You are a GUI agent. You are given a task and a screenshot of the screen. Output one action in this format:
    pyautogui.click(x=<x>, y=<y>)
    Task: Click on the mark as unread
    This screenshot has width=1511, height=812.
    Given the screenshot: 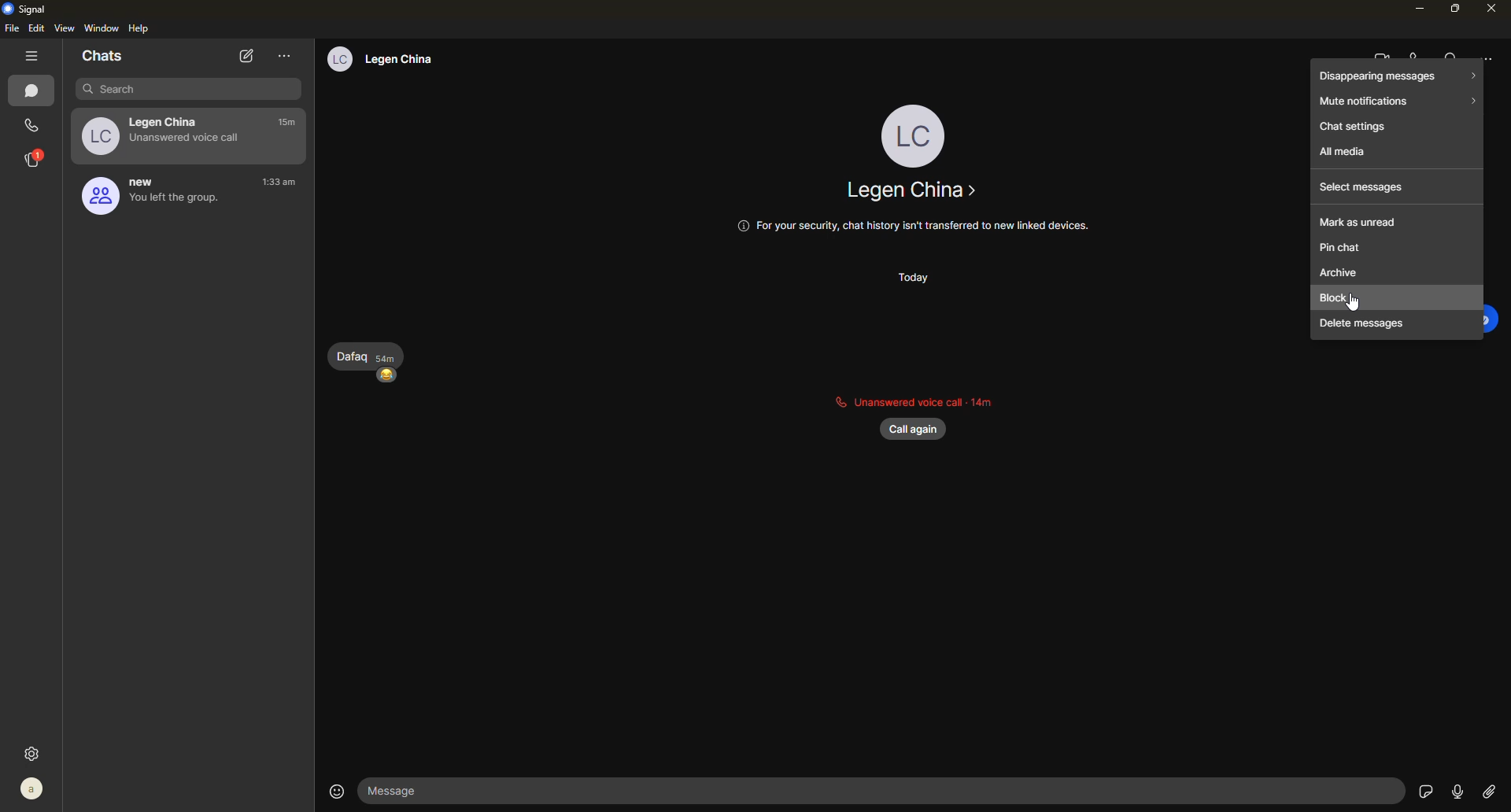 What is the action you would take?
    pyautogui.click(x=1358, y=222)
    